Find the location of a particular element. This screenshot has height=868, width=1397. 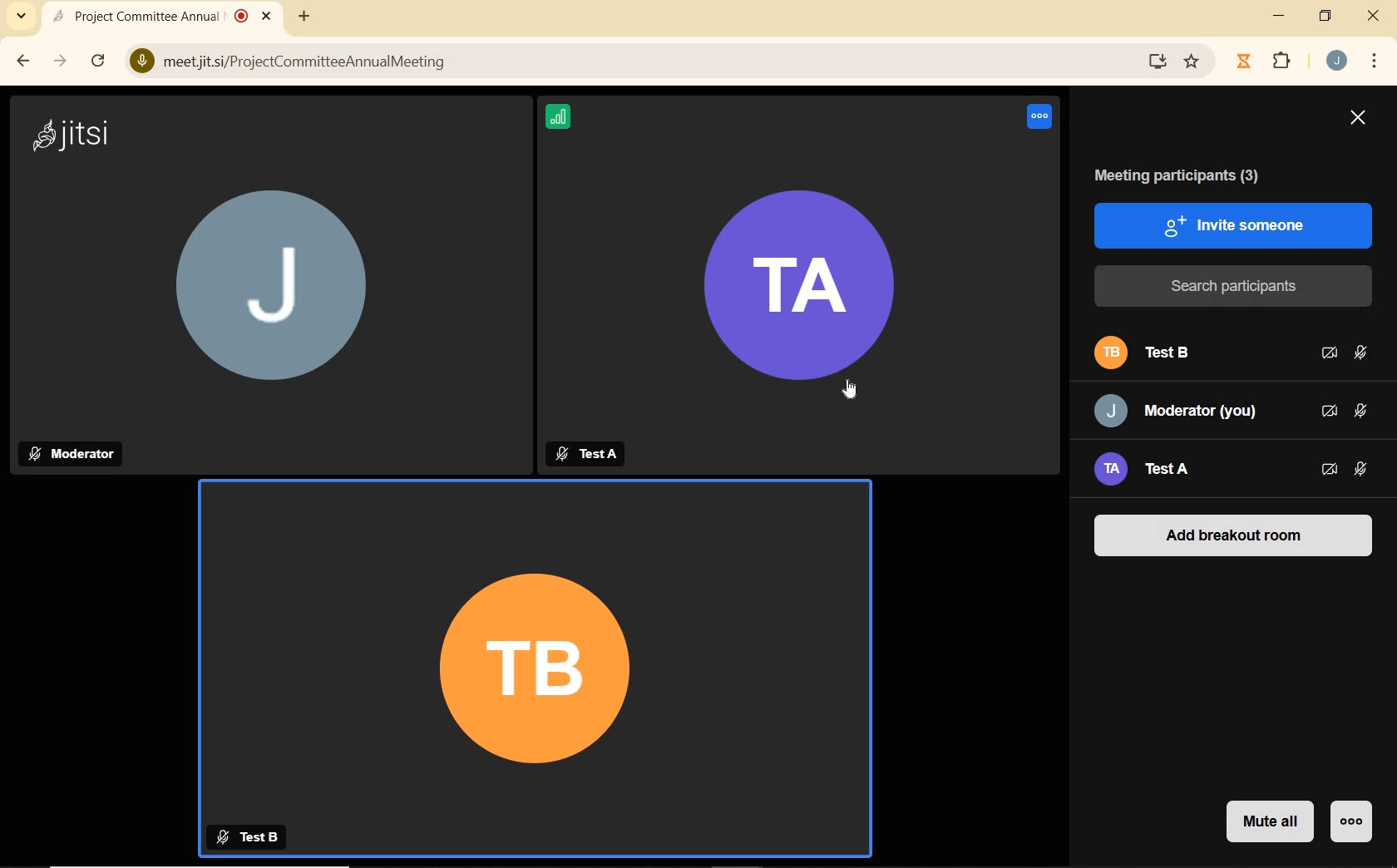

Project Committee Annual is located at coordinates (136, 15).